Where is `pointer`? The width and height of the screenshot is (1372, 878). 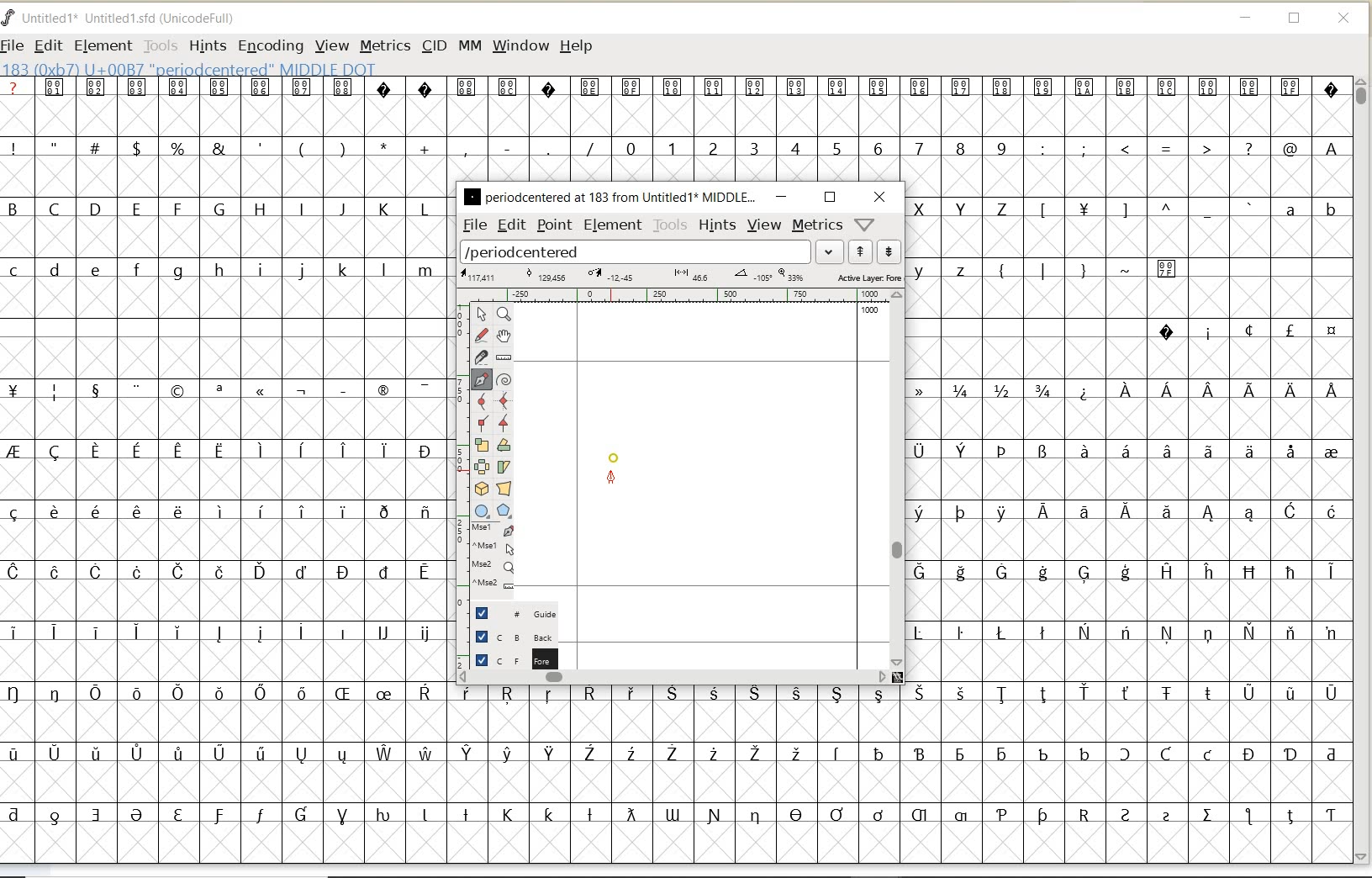
pointer is located at coordinates (481, 315).